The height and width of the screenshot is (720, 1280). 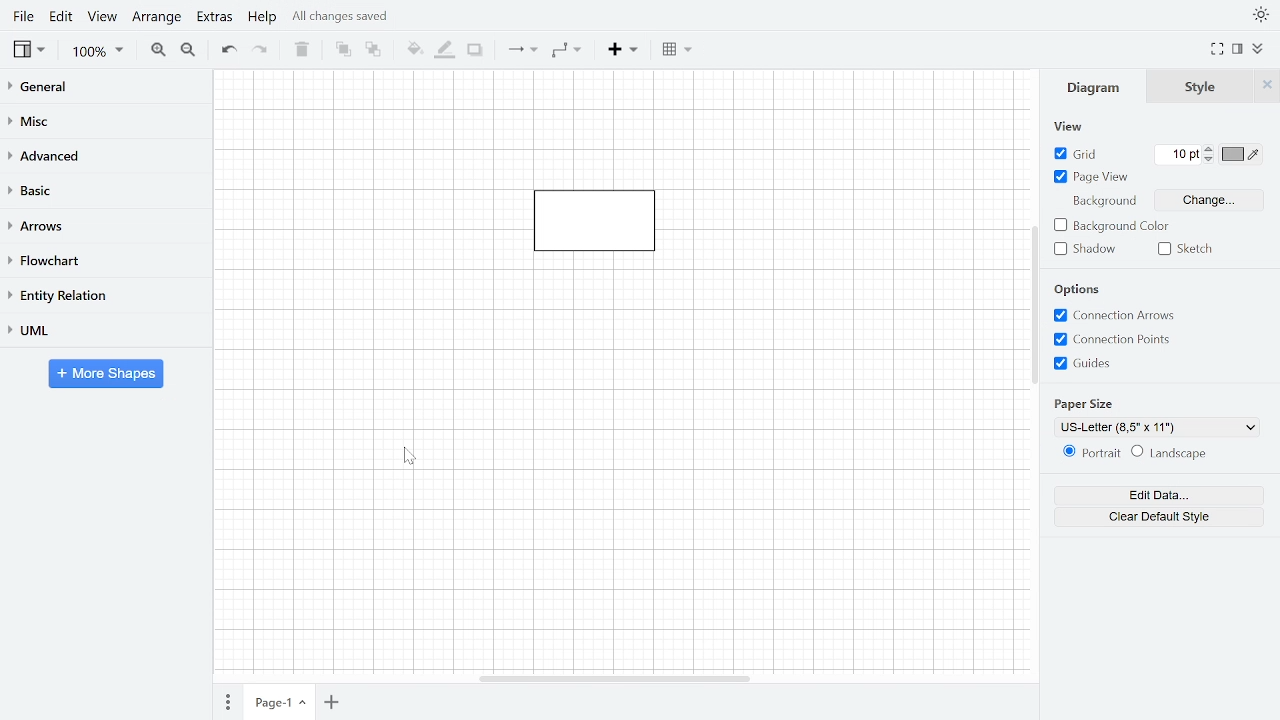 What do you see at coordinates (1079, 154) in the screenshot?
I see `Grid` at bounding box center [1079, 154].